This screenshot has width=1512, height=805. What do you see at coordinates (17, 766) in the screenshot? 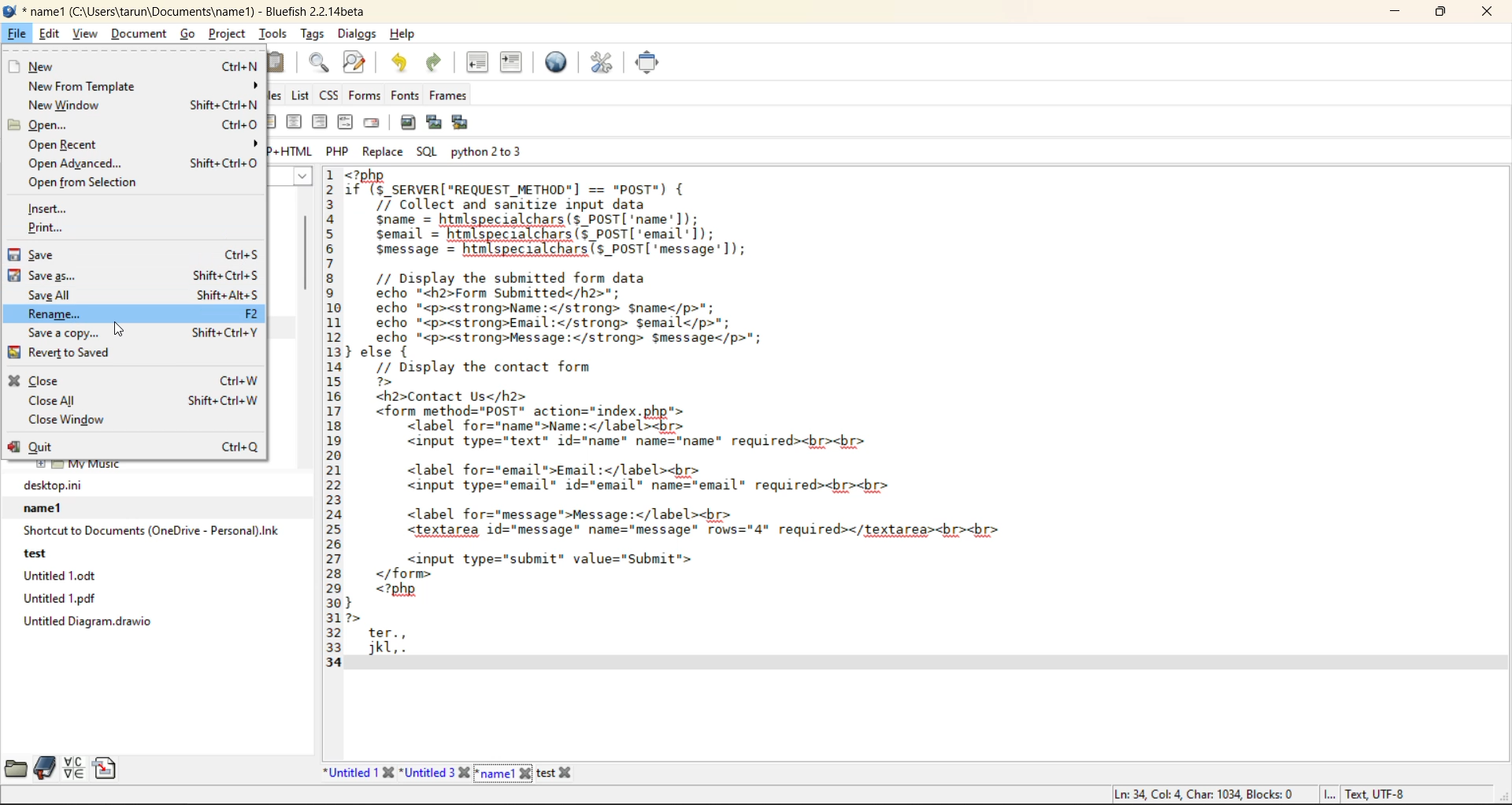
I see `file browser` at bounding box center [17, 766].